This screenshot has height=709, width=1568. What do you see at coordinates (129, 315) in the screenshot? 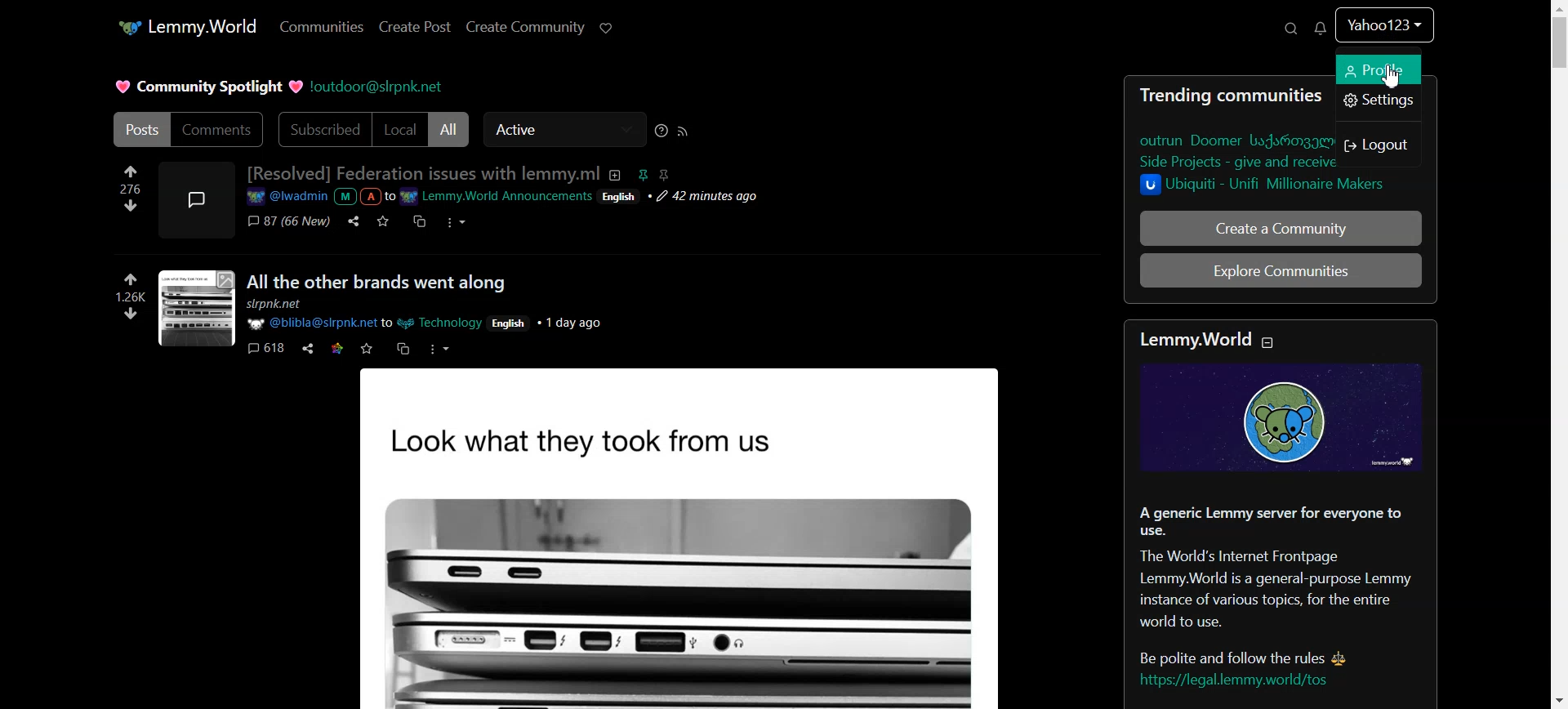
I see `downvote` at bounding box center [129, 315].